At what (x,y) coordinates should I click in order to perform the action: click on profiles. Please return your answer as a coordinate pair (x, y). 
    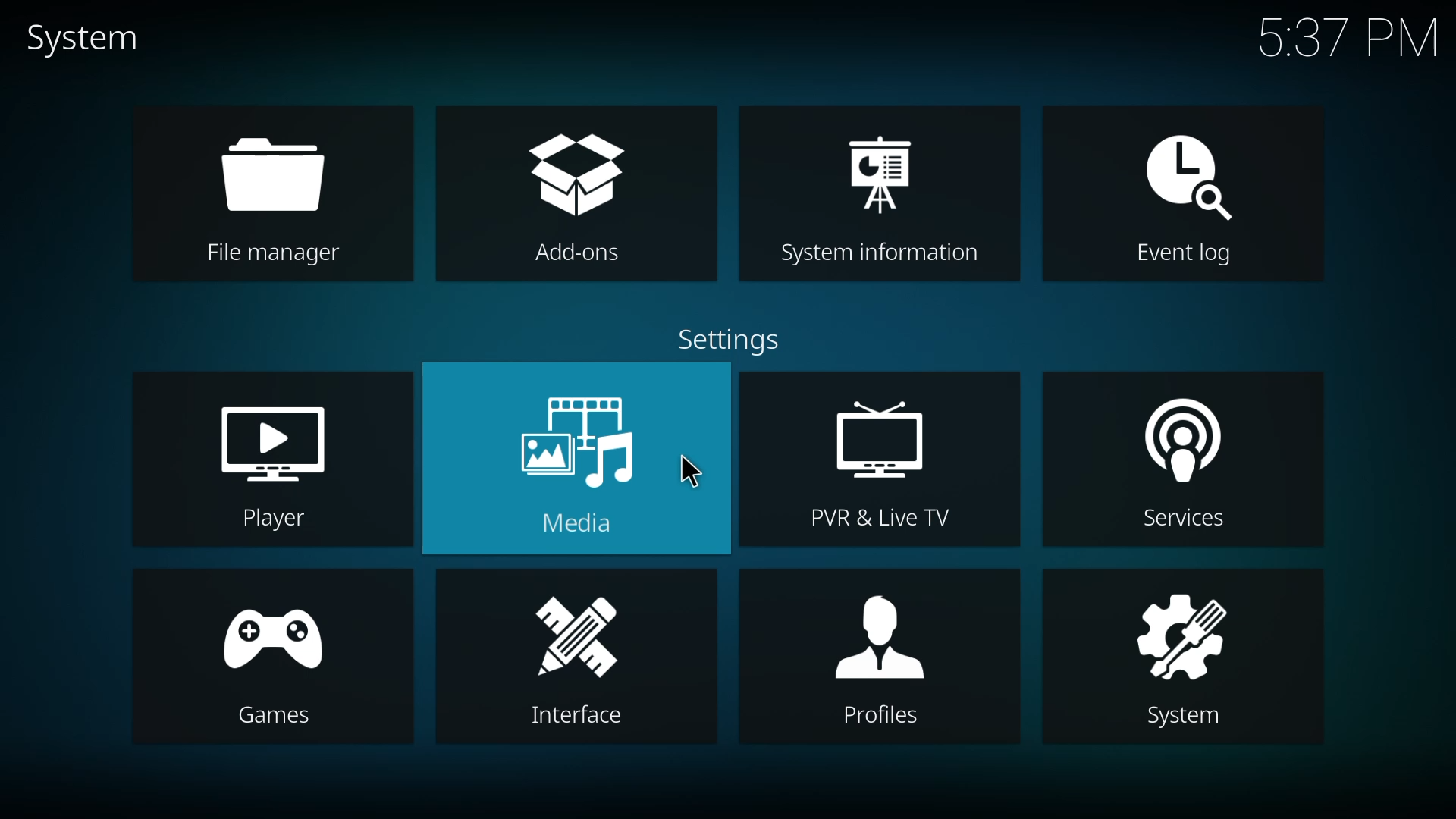
    Looking at the image, I should click on (879, 643).